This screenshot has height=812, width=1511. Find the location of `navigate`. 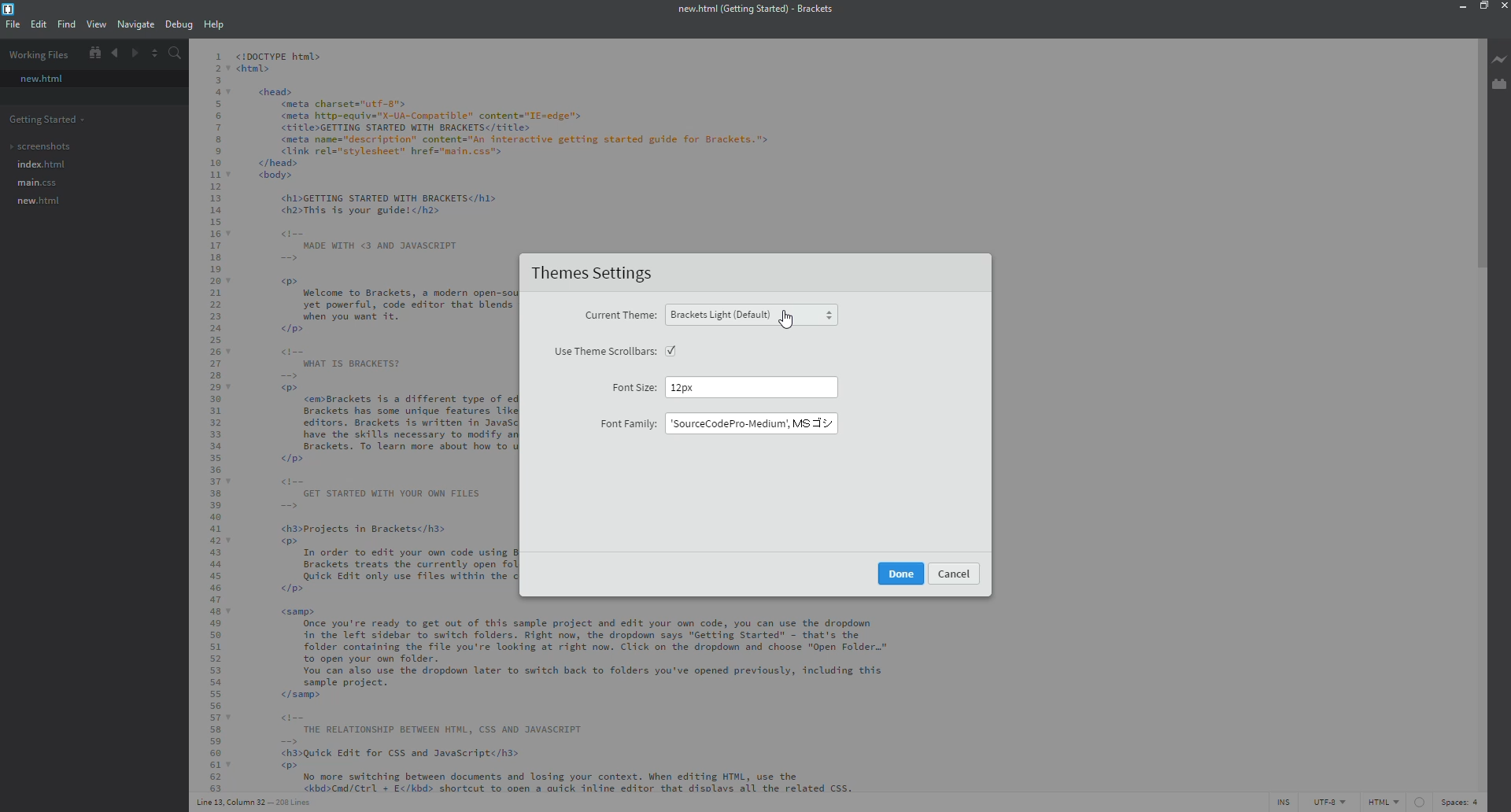

navigate is located at coordinates (135, 24).